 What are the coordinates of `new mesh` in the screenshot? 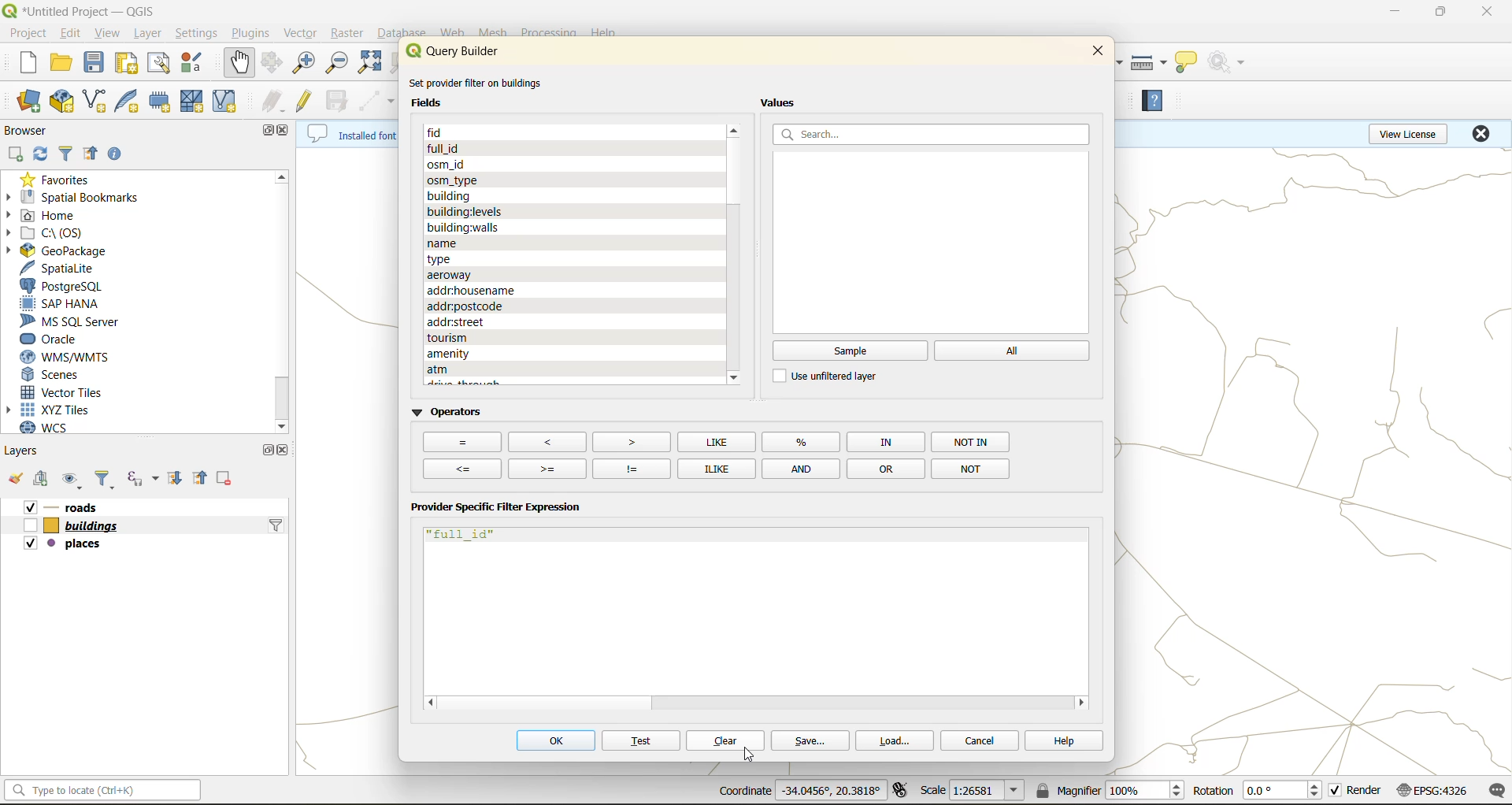 It's located at (195, 103).